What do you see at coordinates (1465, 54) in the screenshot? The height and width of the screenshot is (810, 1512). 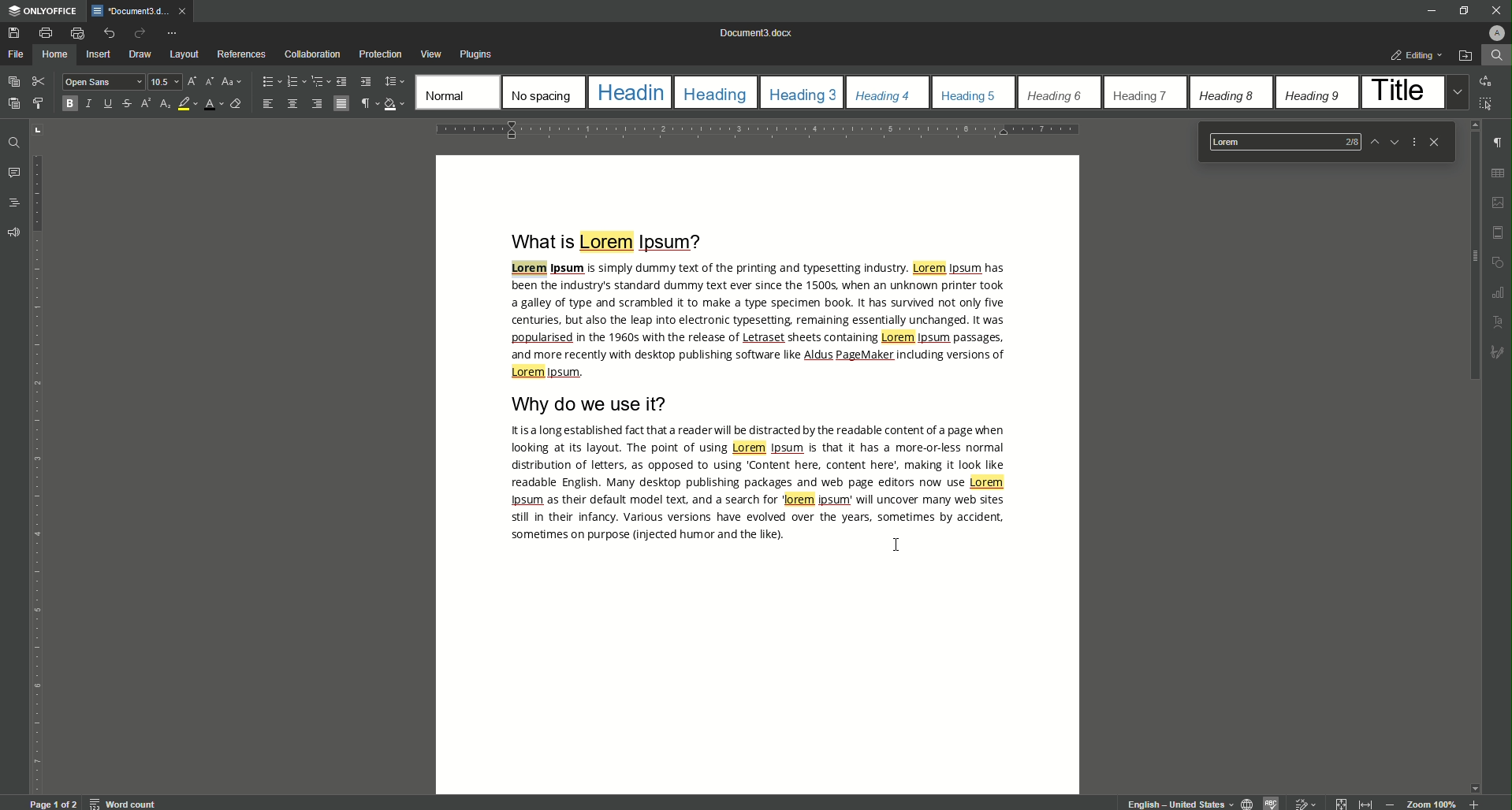 I see `Open File Location` at bounding box center [1465, 54].